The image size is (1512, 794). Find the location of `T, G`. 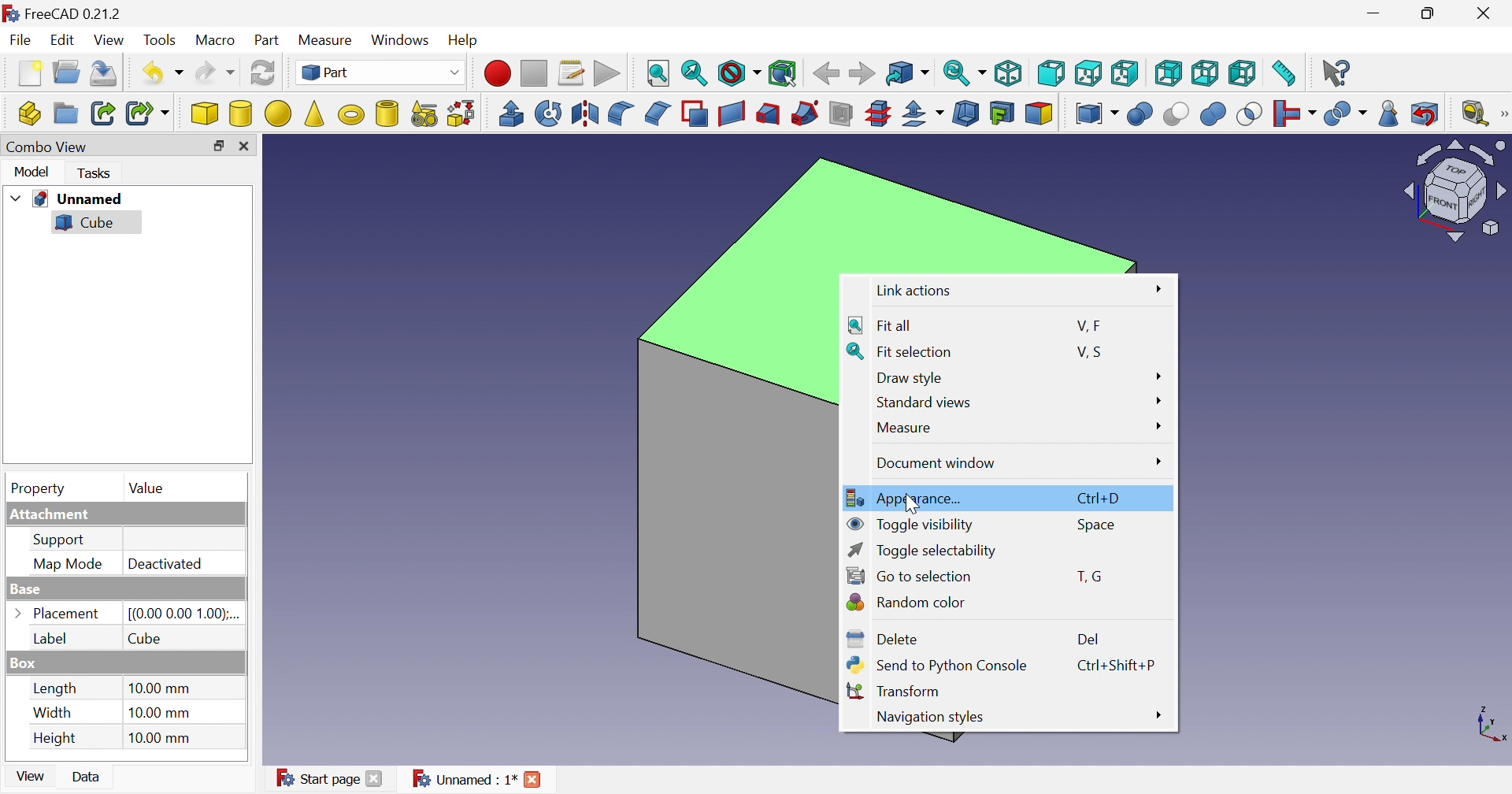

T, G is located at coordinates (1089, 574).